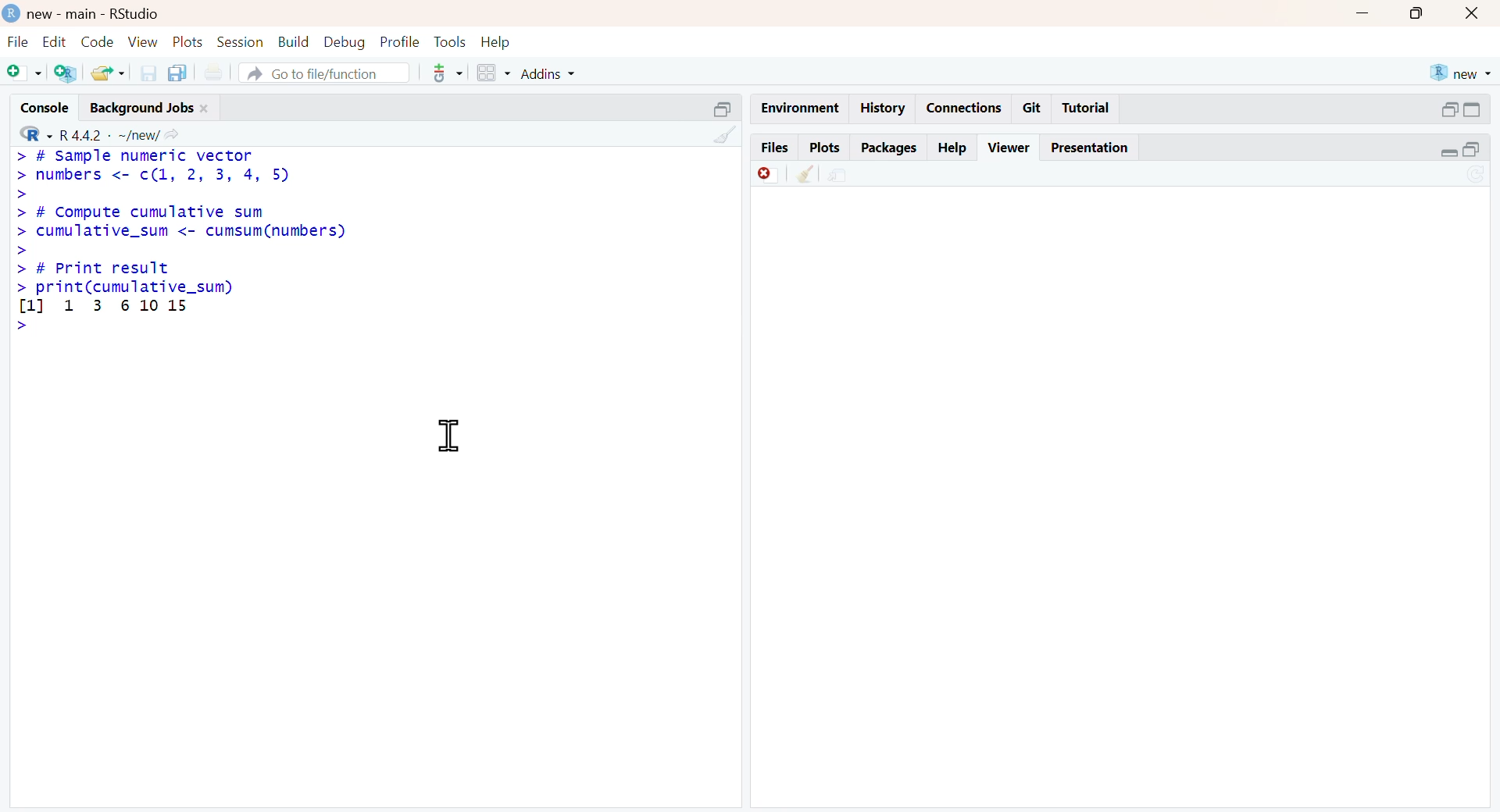 The width and height of the screenshot is (1500, 812). I want to click on Help, so click(950, 148).